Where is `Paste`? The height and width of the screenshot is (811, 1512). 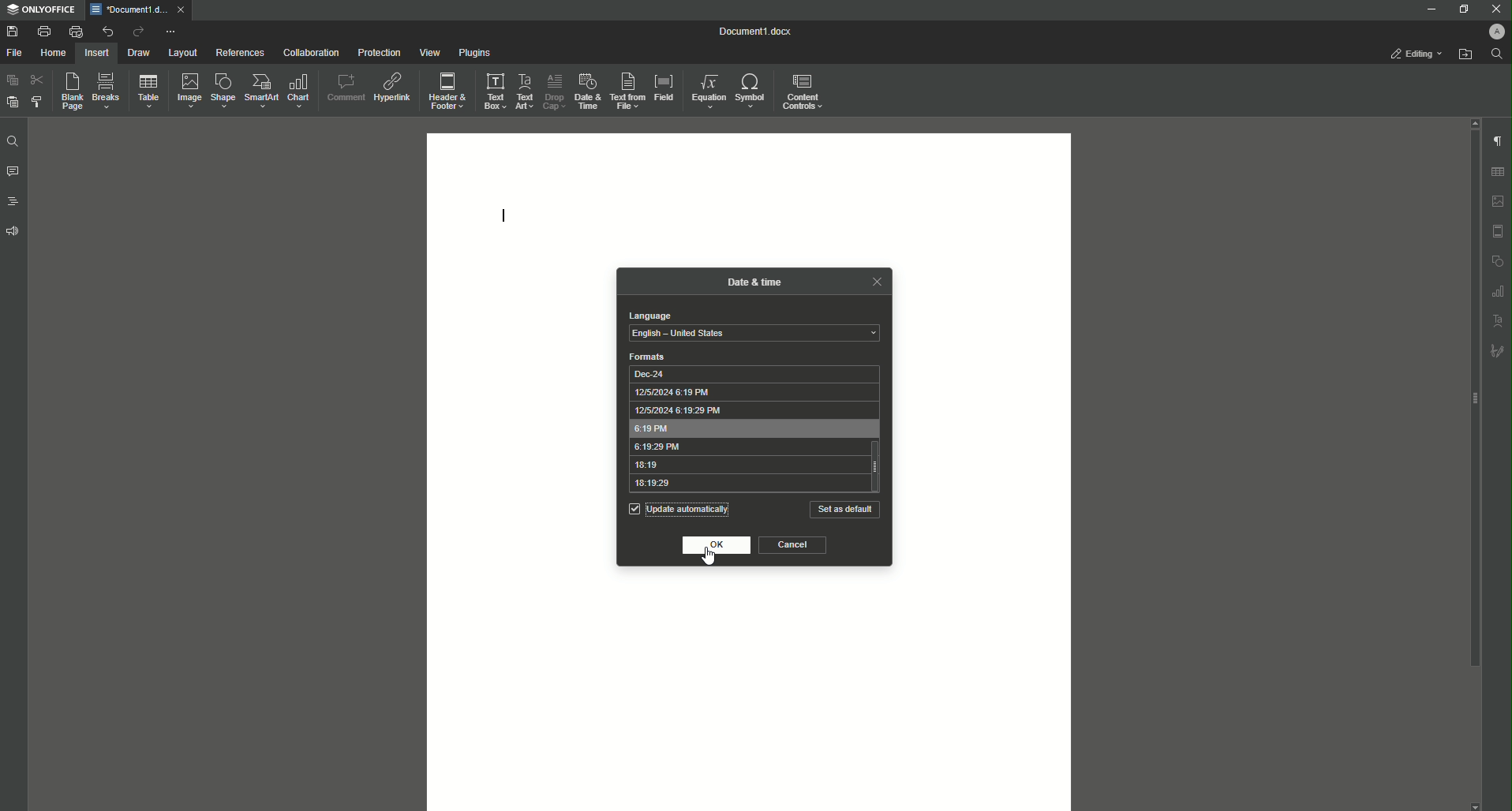 Paste is located at coordinates (11, 80).